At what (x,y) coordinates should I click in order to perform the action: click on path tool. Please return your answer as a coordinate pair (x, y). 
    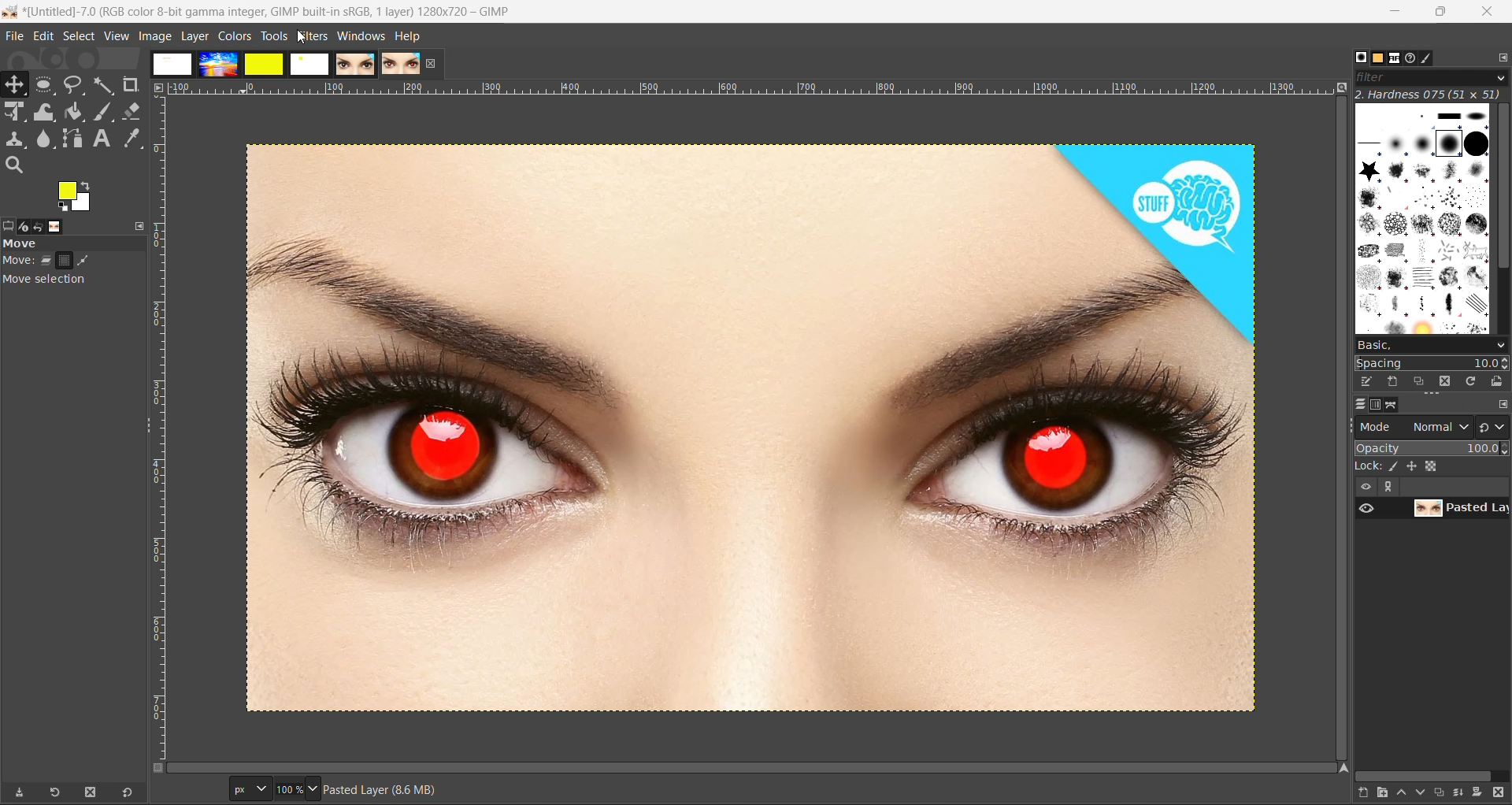
    Looking at the image, I should click on (72, 138).